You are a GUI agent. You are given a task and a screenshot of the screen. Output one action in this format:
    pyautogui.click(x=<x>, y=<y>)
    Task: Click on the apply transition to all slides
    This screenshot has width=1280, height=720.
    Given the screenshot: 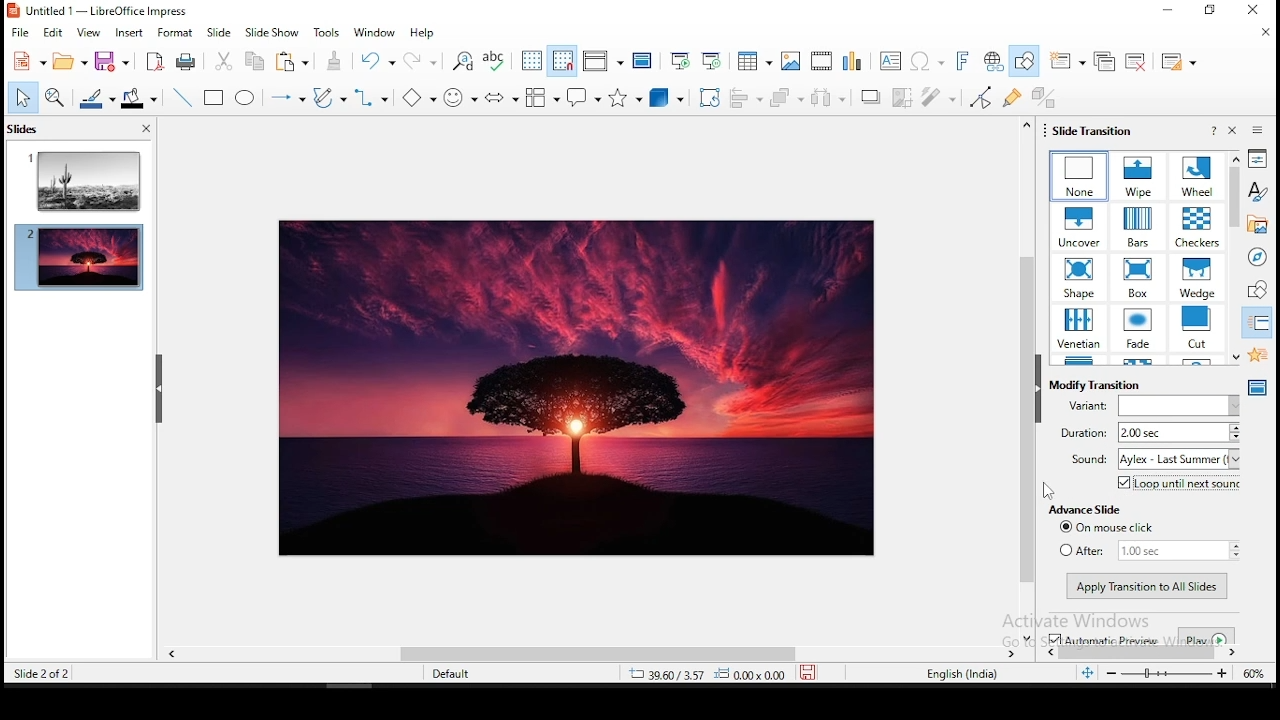 What is the action you would take?
    pyautogui.click(x=1146, y=585)
    